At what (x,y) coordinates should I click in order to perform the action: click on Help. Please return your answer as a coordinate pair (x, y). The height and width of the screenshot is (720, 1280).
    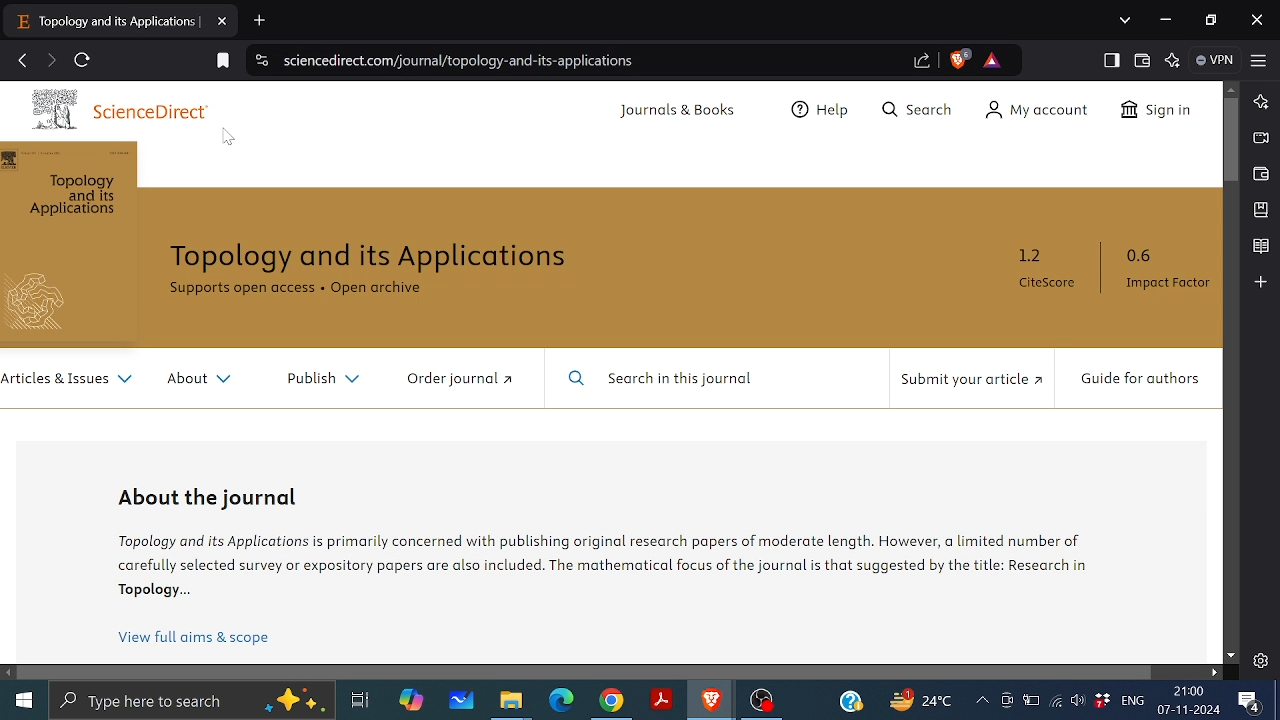
    Looking at the image, I should click on (813, 111).